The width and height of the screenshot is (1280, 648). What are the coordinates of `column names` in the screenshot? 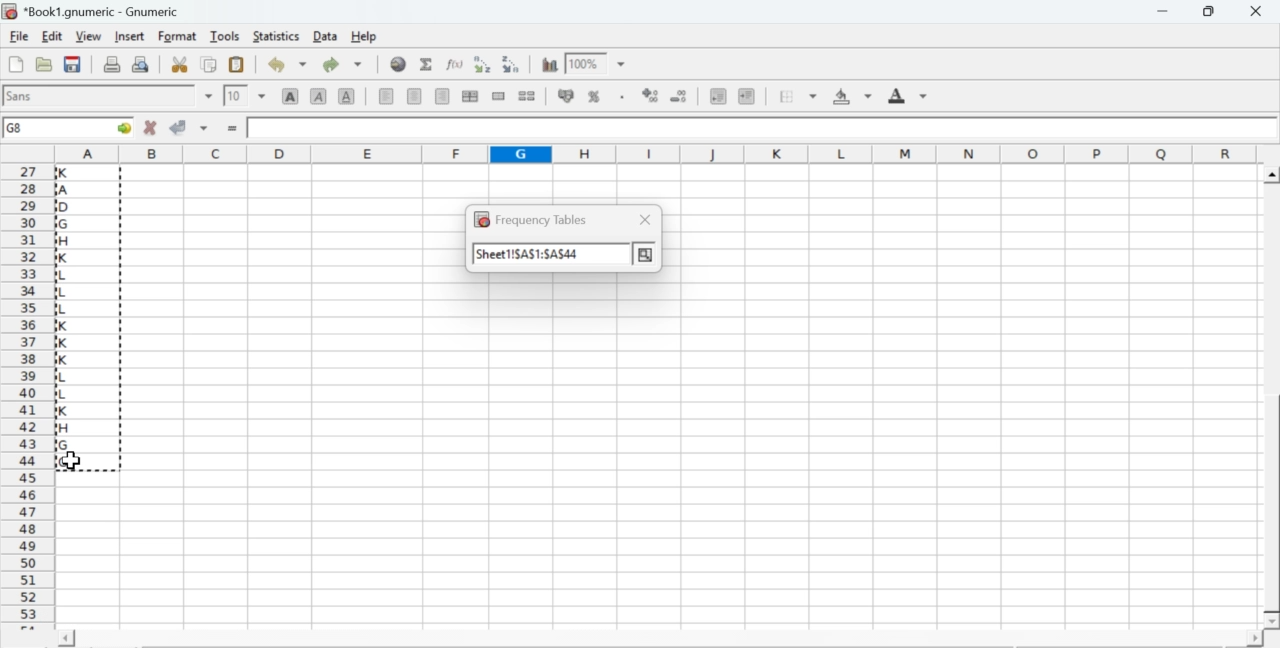 It's located at (653, 152).